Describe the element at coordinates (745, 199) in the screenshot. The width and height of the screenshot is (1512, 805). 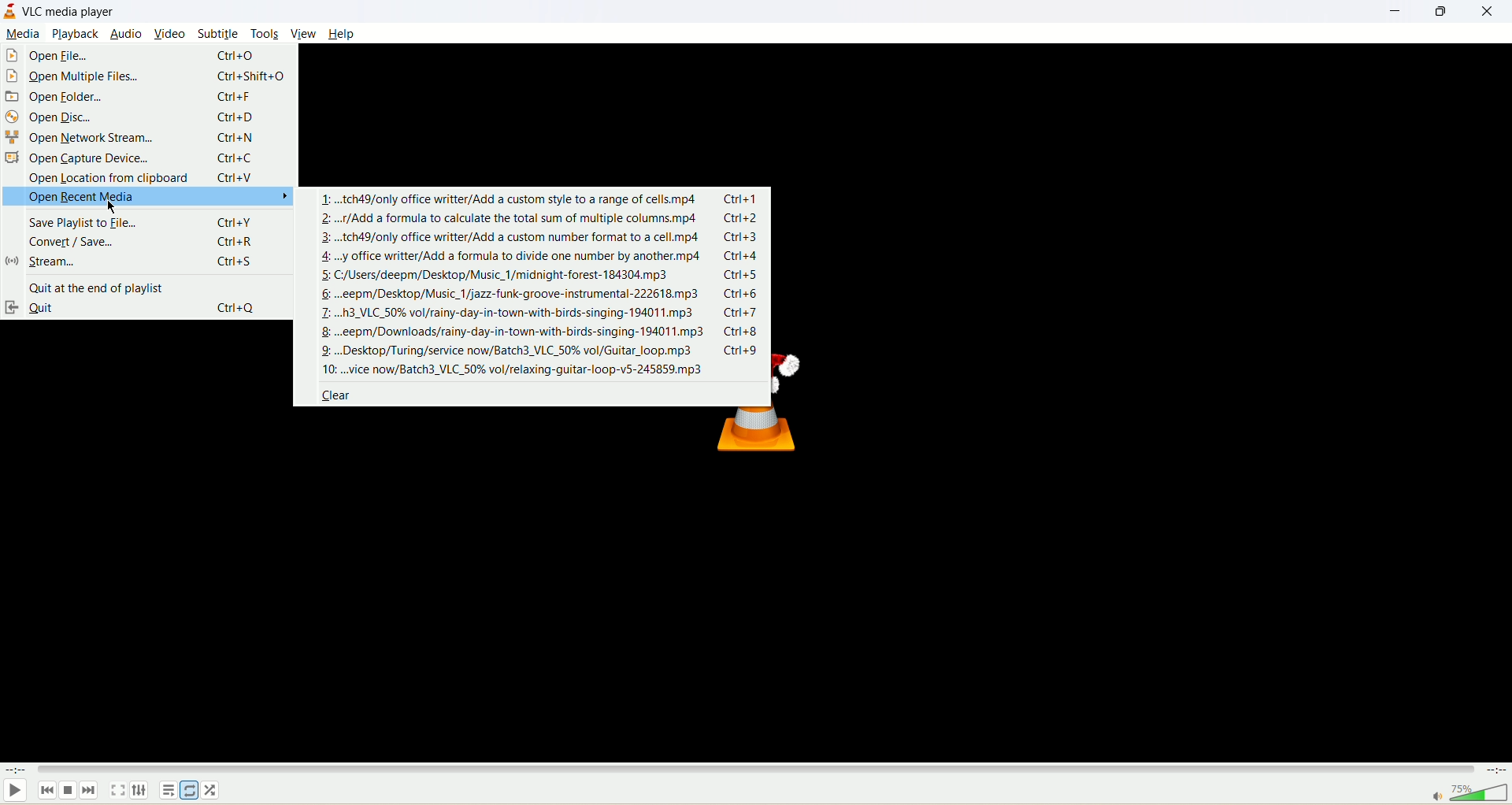
I see `ctrl+1` at that location.